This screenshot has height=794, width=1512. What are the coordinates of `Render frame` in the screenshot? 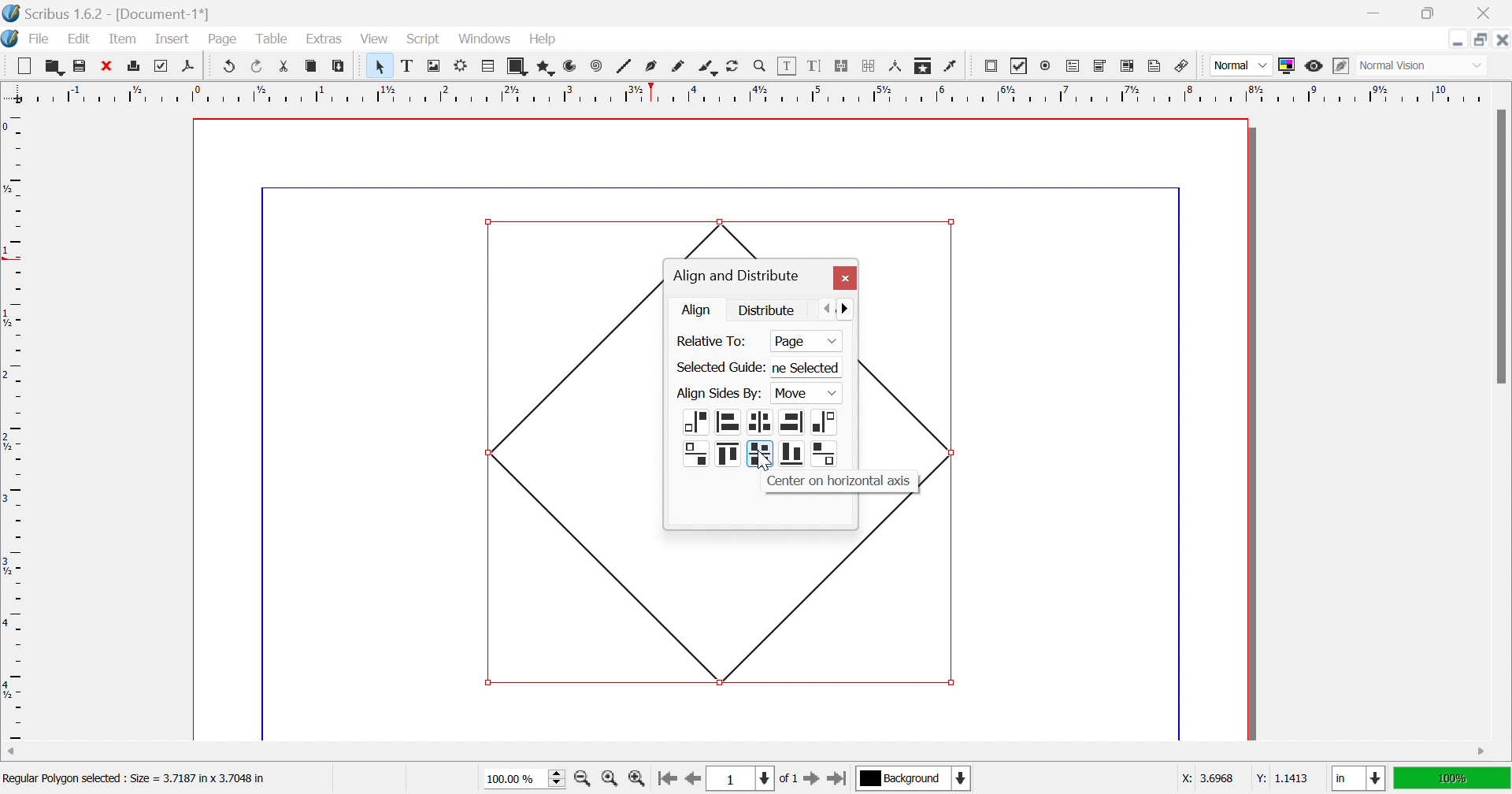 It's located at (461, 65).